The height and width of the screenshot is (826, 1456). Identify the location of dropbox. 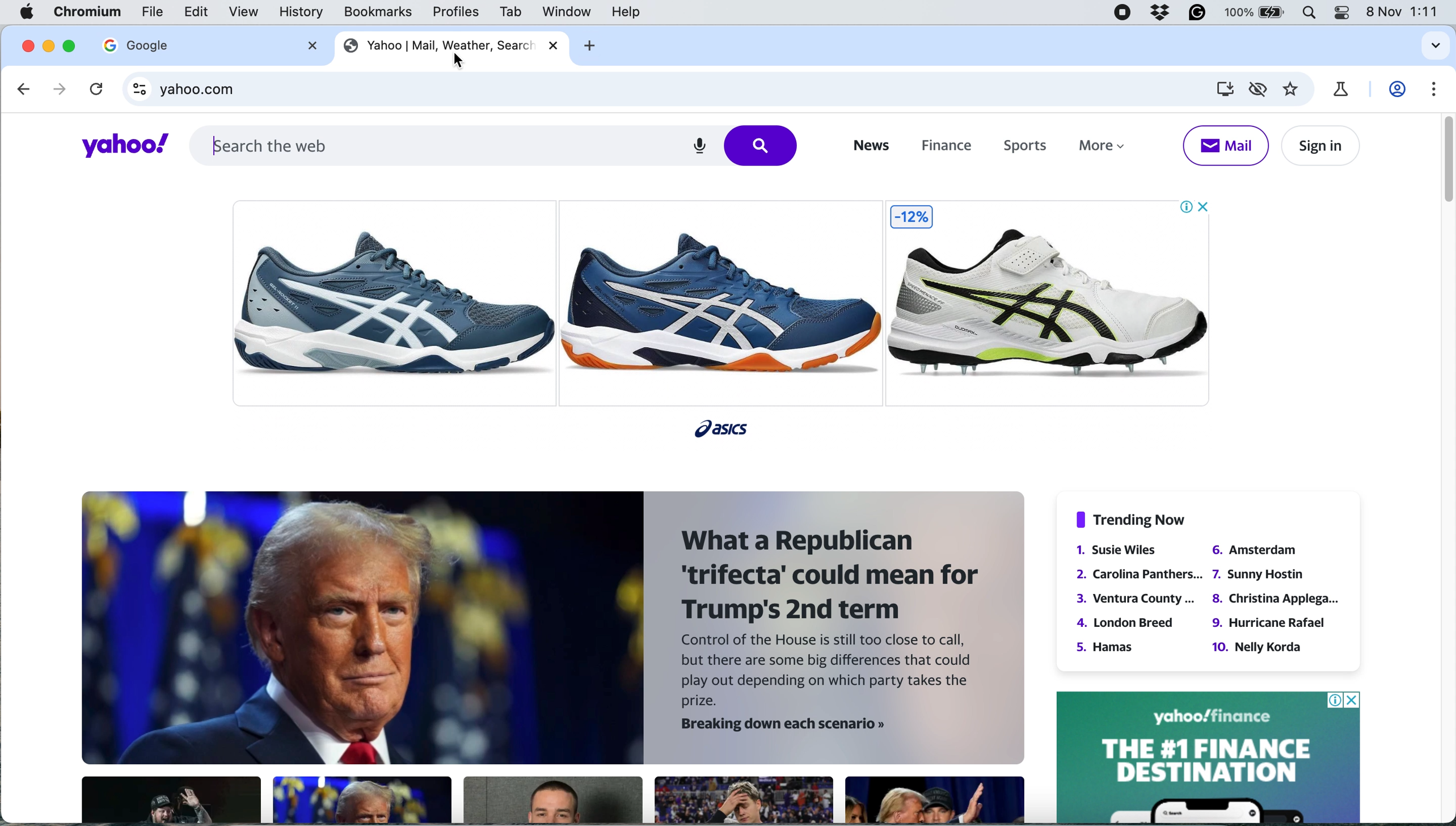
(1162, 14).